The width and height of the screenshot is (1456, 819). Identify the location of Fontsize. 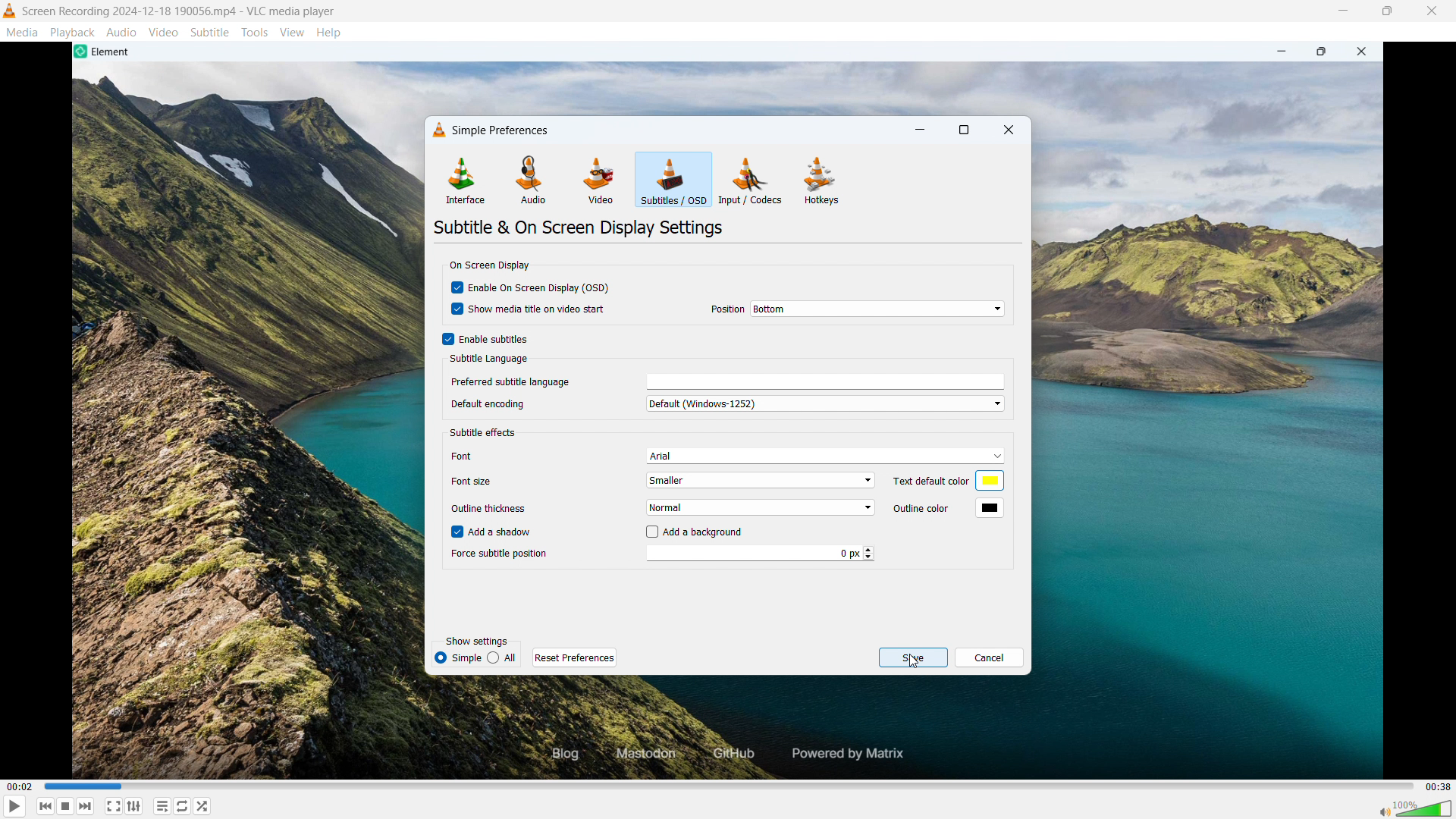
(475, 483).